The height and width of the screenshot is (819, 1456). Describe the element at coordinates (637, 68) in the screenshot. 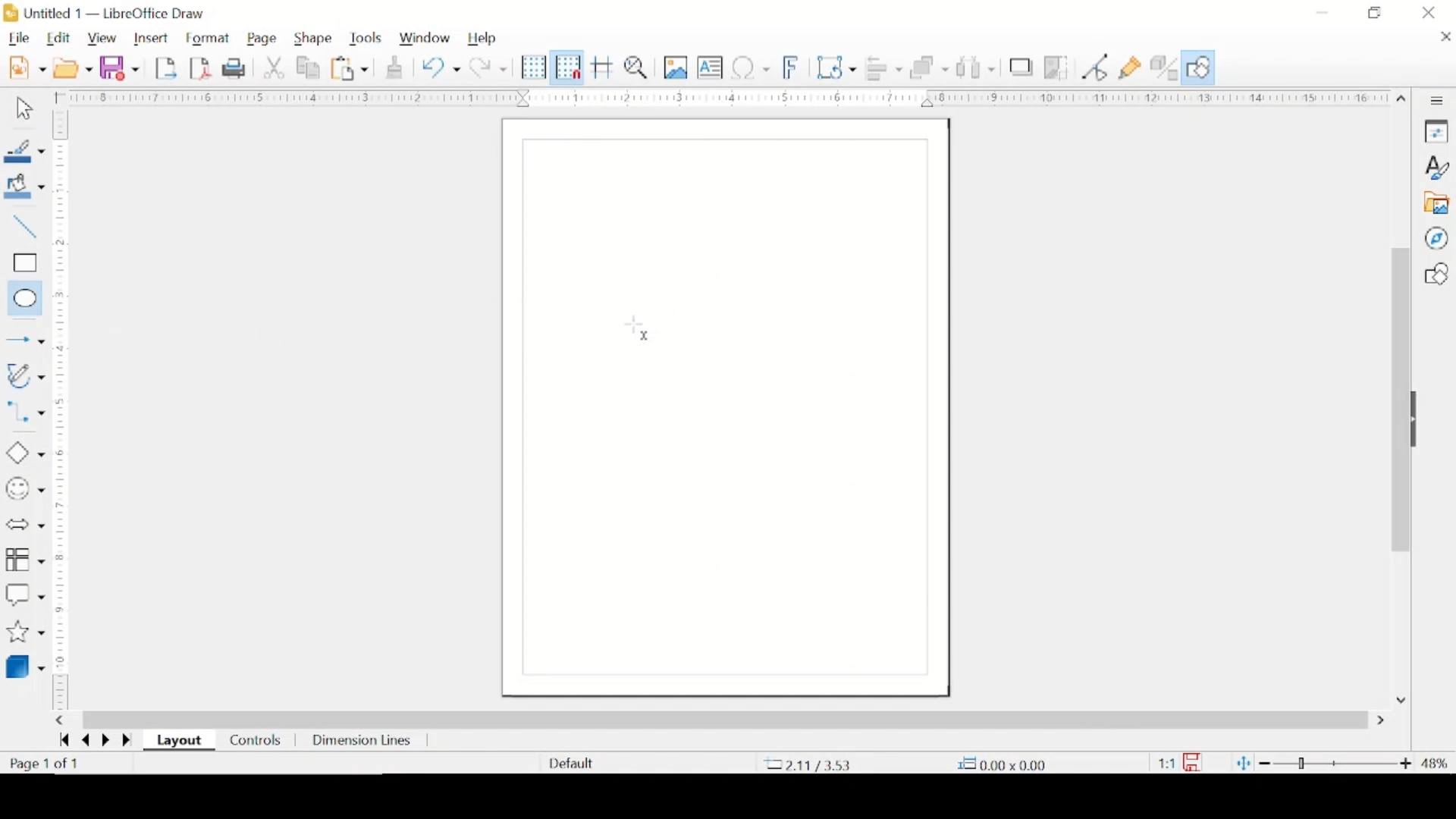

I see `zoom and pan` at that location.